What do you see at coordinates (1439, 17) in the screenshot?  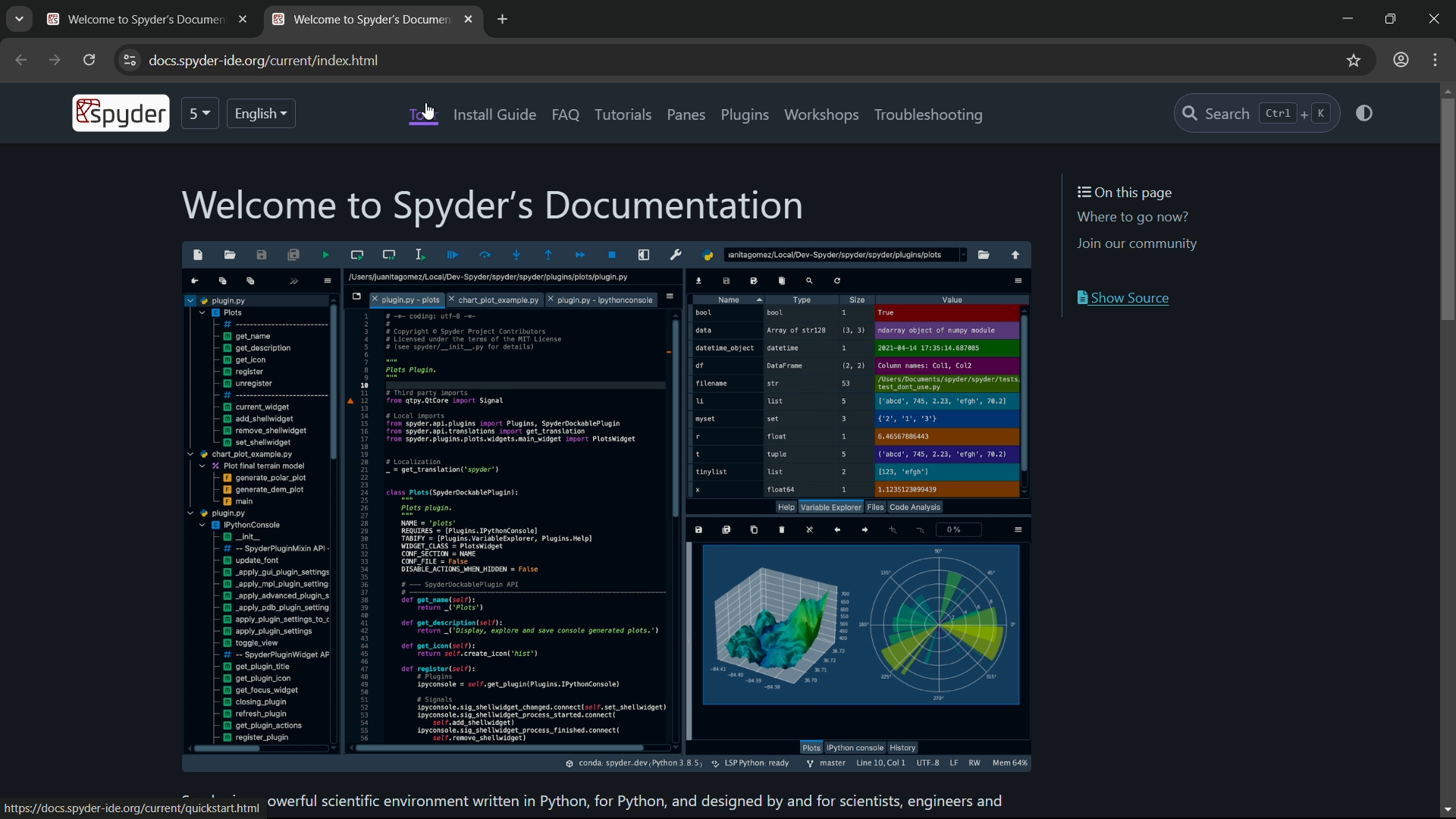 I see `close app` at bounding box center [1439, 17].